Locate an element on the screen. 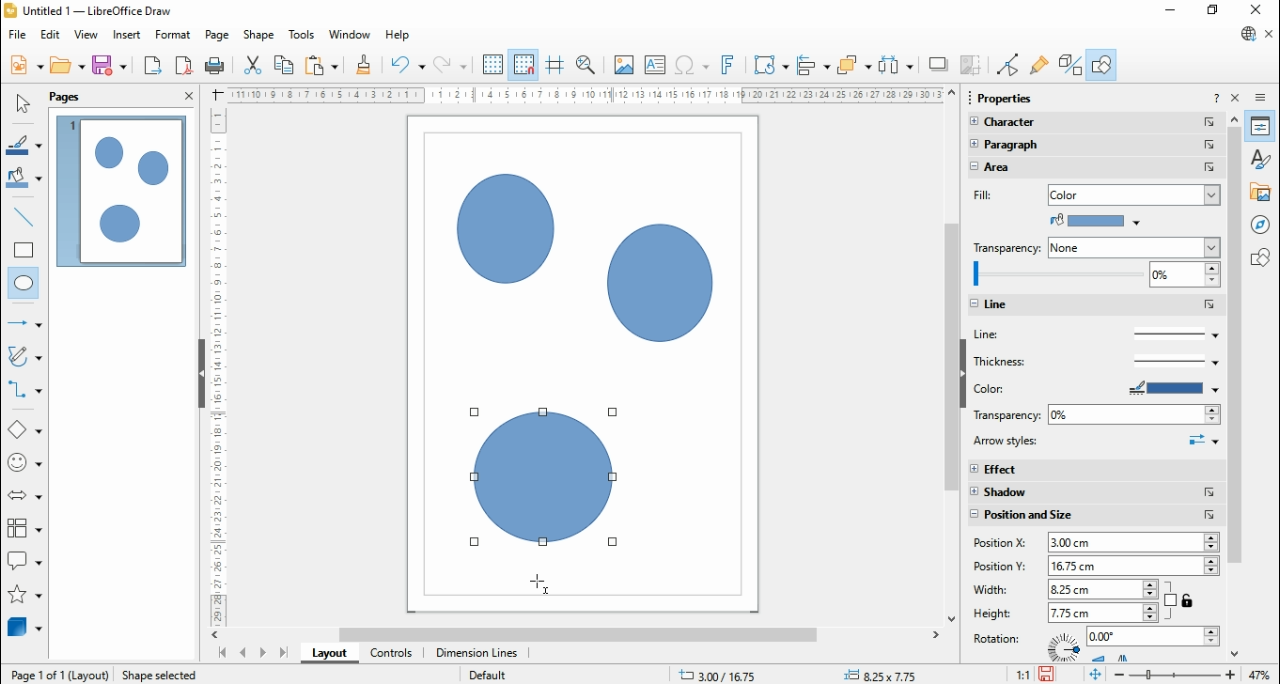  show glue point functions is located at coordinates (1041, 64).